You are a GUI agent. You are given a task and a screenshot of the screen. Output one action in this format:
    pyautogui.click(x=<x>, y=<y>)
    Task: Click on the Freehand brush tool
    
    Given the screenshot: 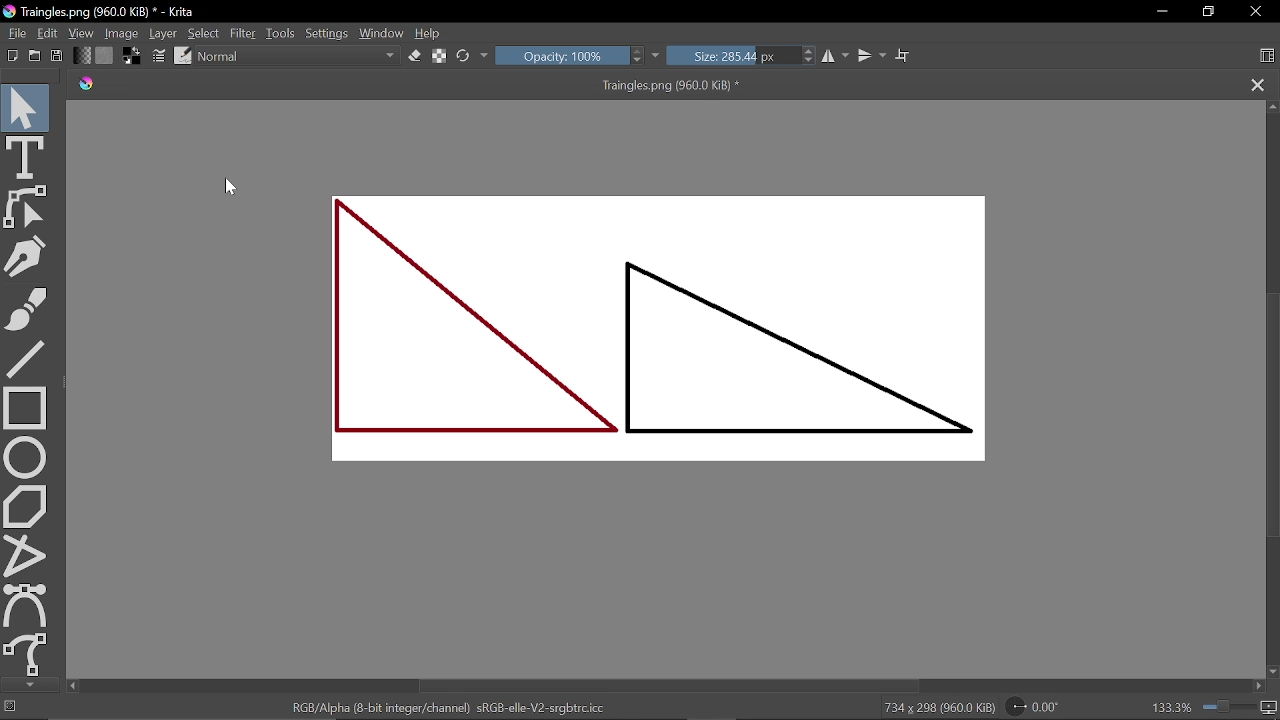 What is the action you would take?
    pyautogui.click(x=35, y=311)
    